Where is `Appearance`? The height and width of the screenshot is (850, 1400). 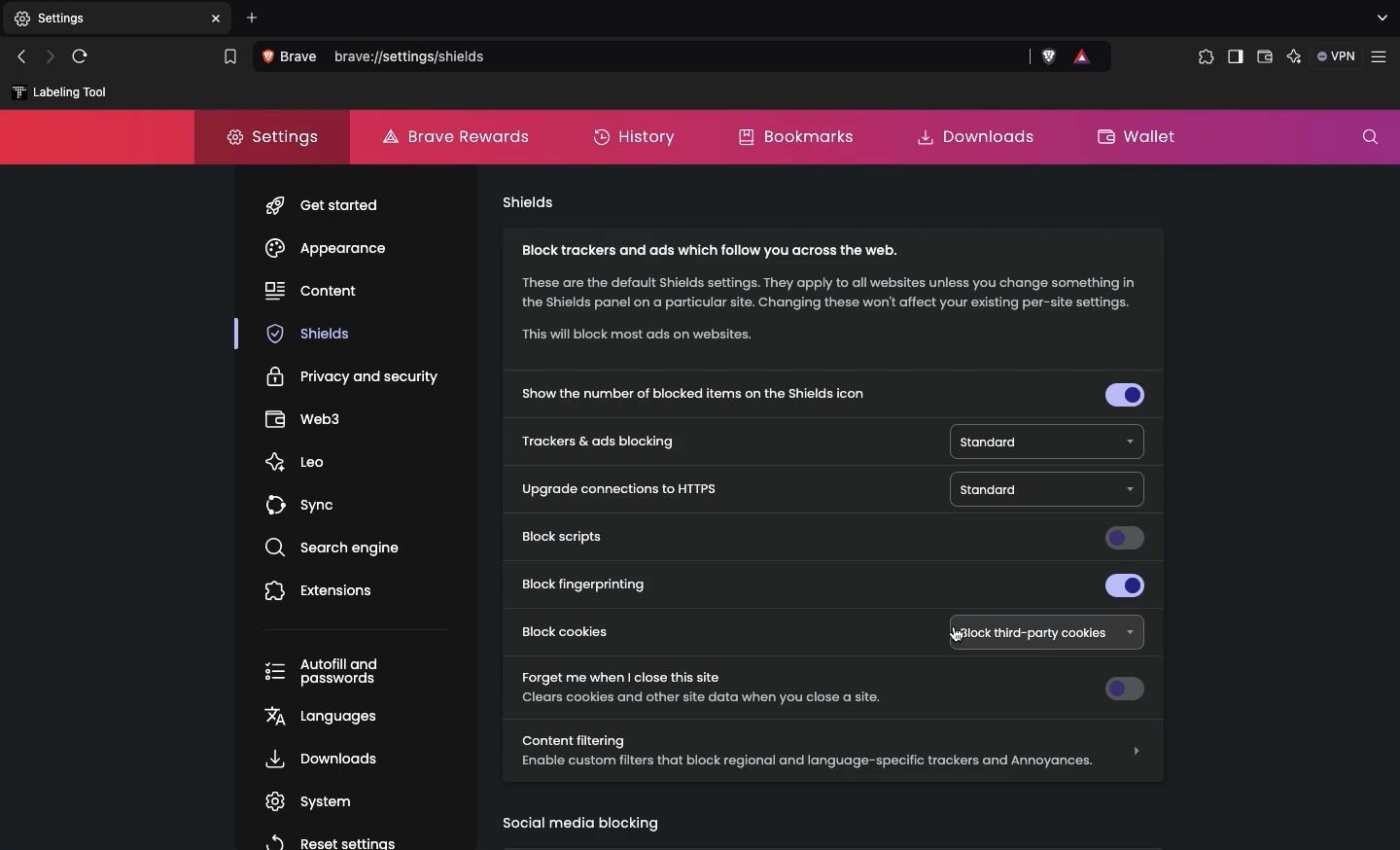
Appearance is located at coordinates (329, 247).